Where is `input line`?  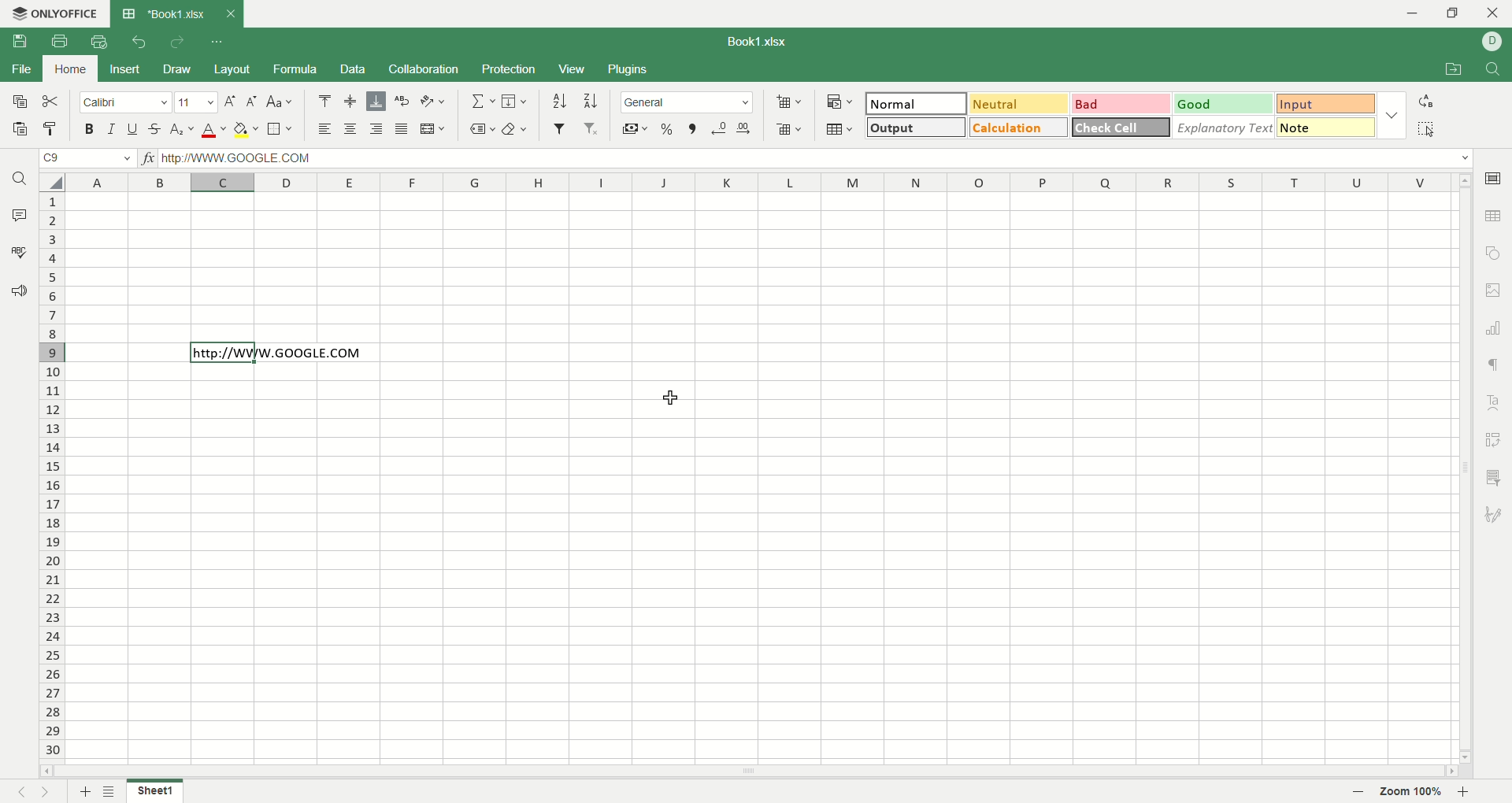 input line is located at coordinates (815, 159).